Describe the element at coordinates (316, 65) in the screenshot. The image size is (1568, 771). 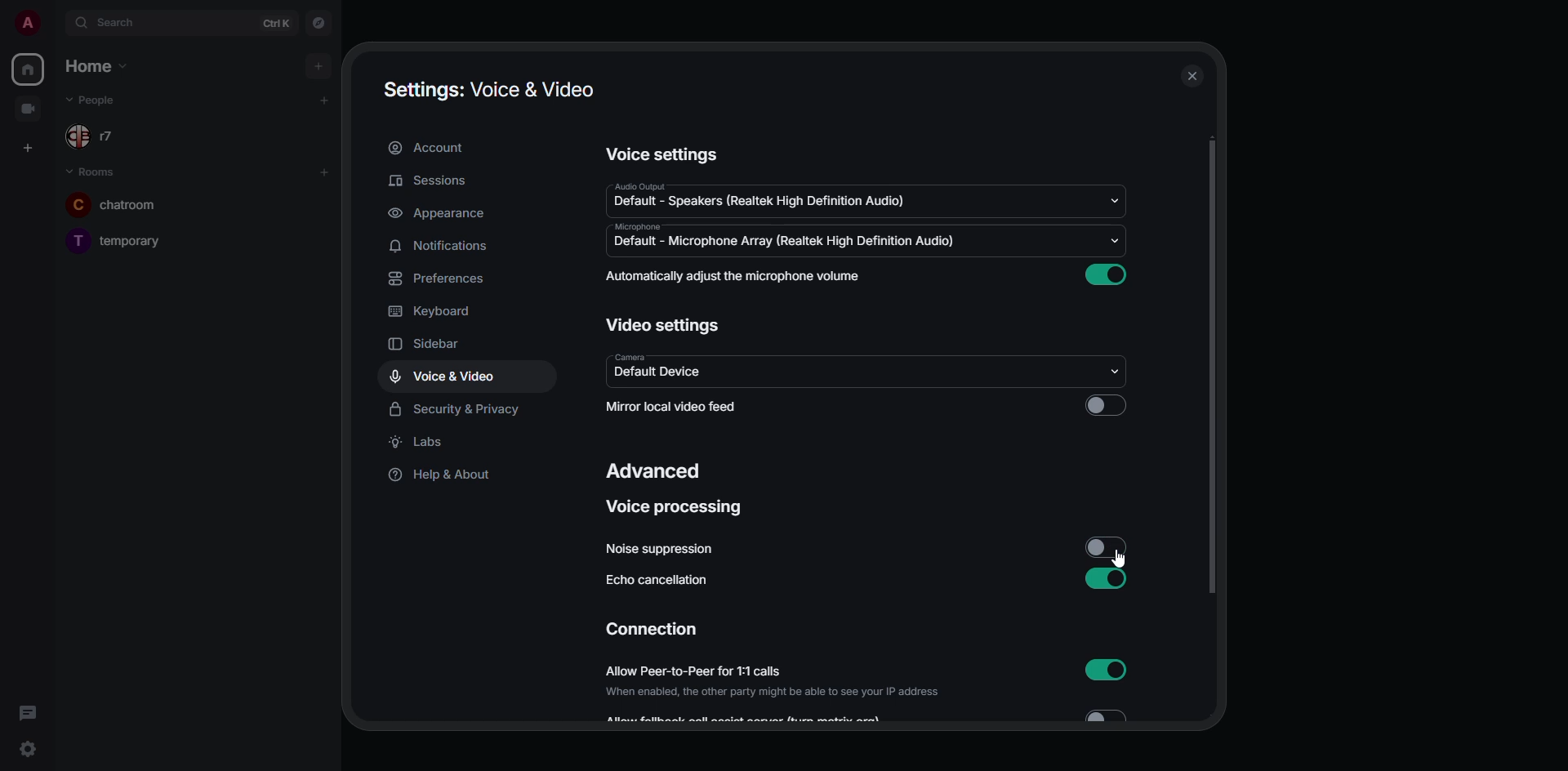
I see `add` at that location.